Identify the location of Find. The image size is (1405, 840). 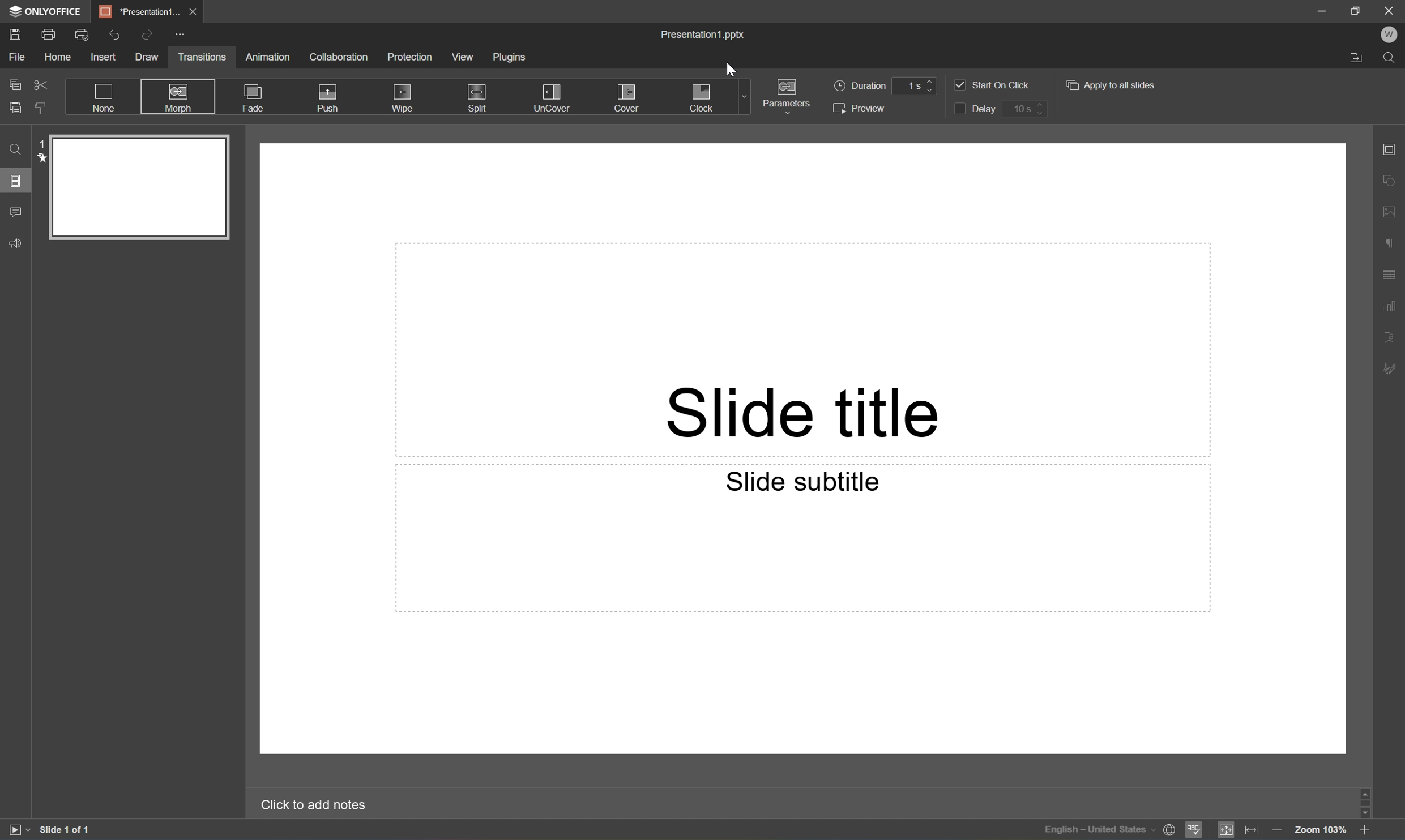
(14, 151).